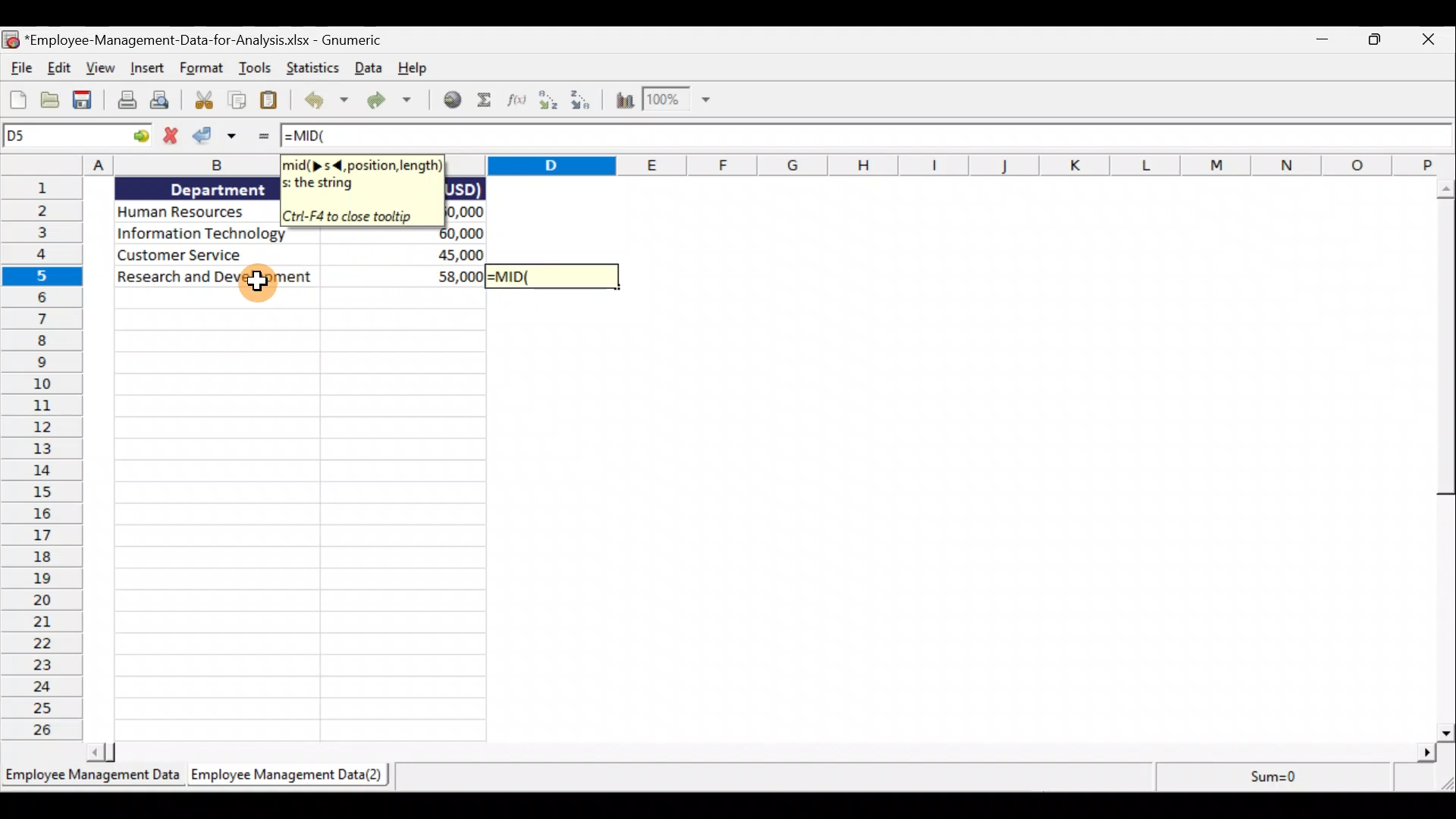 The width and height of the screenshot is (1456, 819). Describe the element at coordinates (384, 485) in the screenshot. I see `Data` at that location.